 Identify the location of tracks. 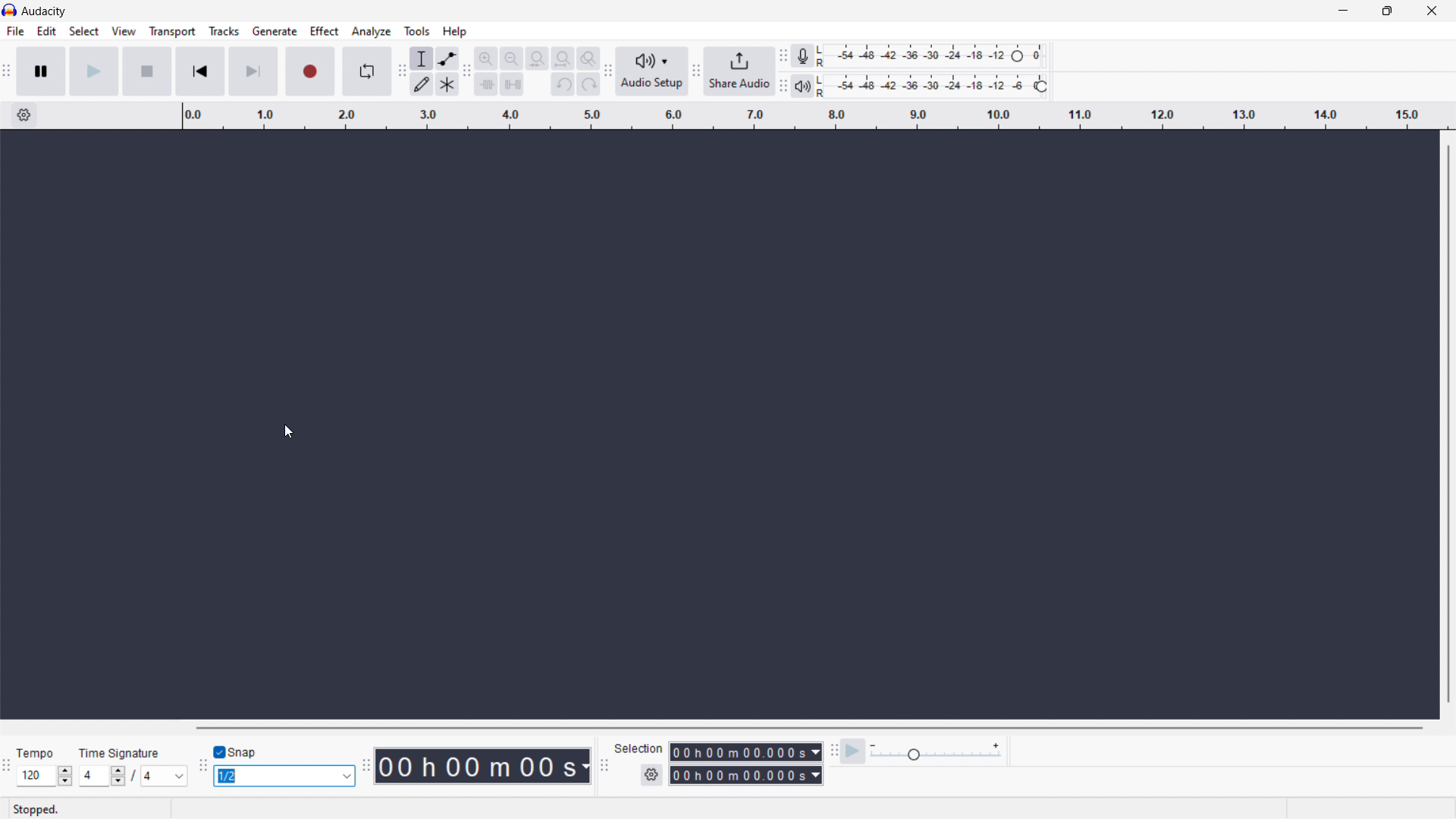
(224, 32).